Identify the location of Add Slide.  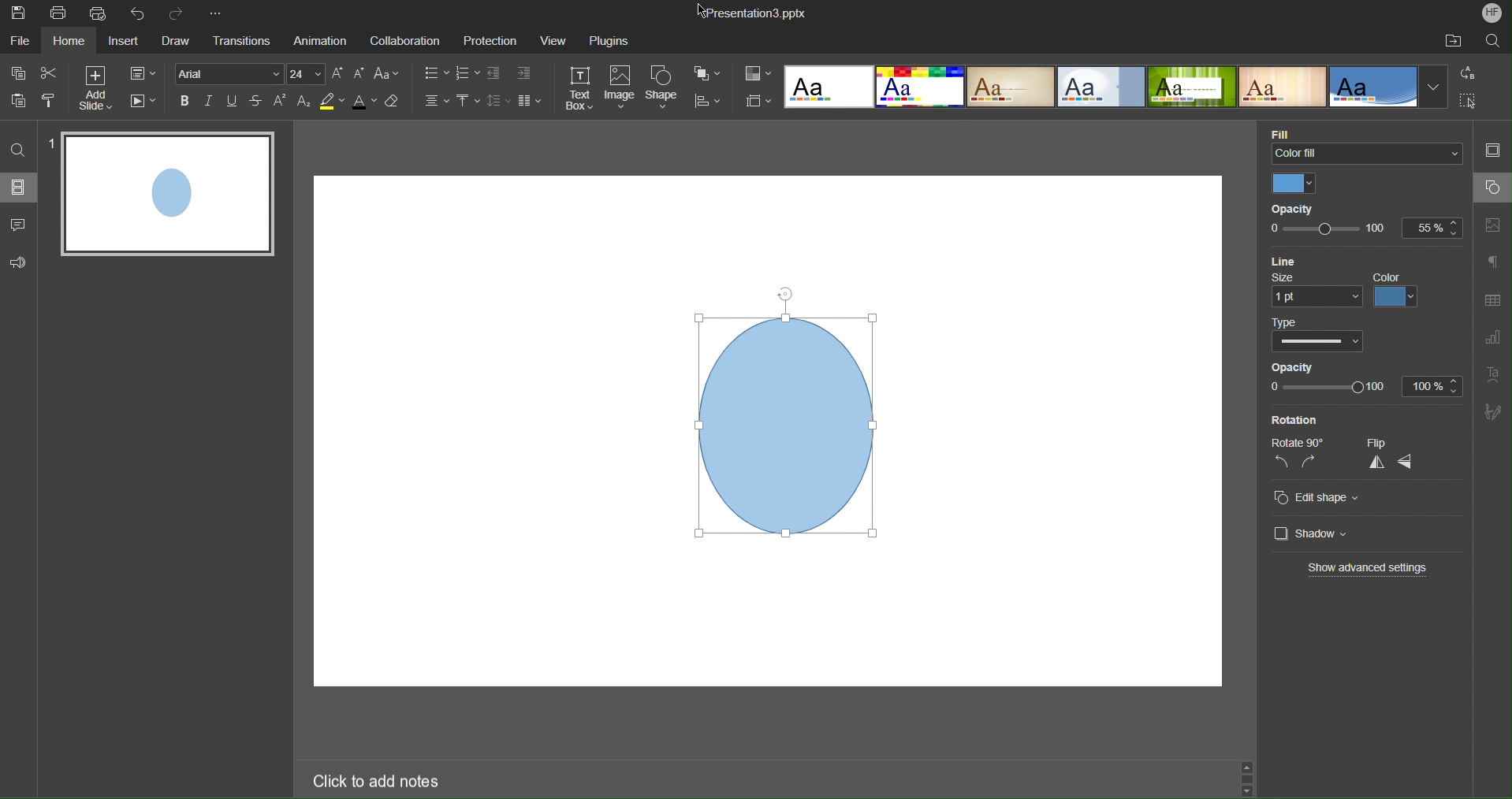
(97, 88).